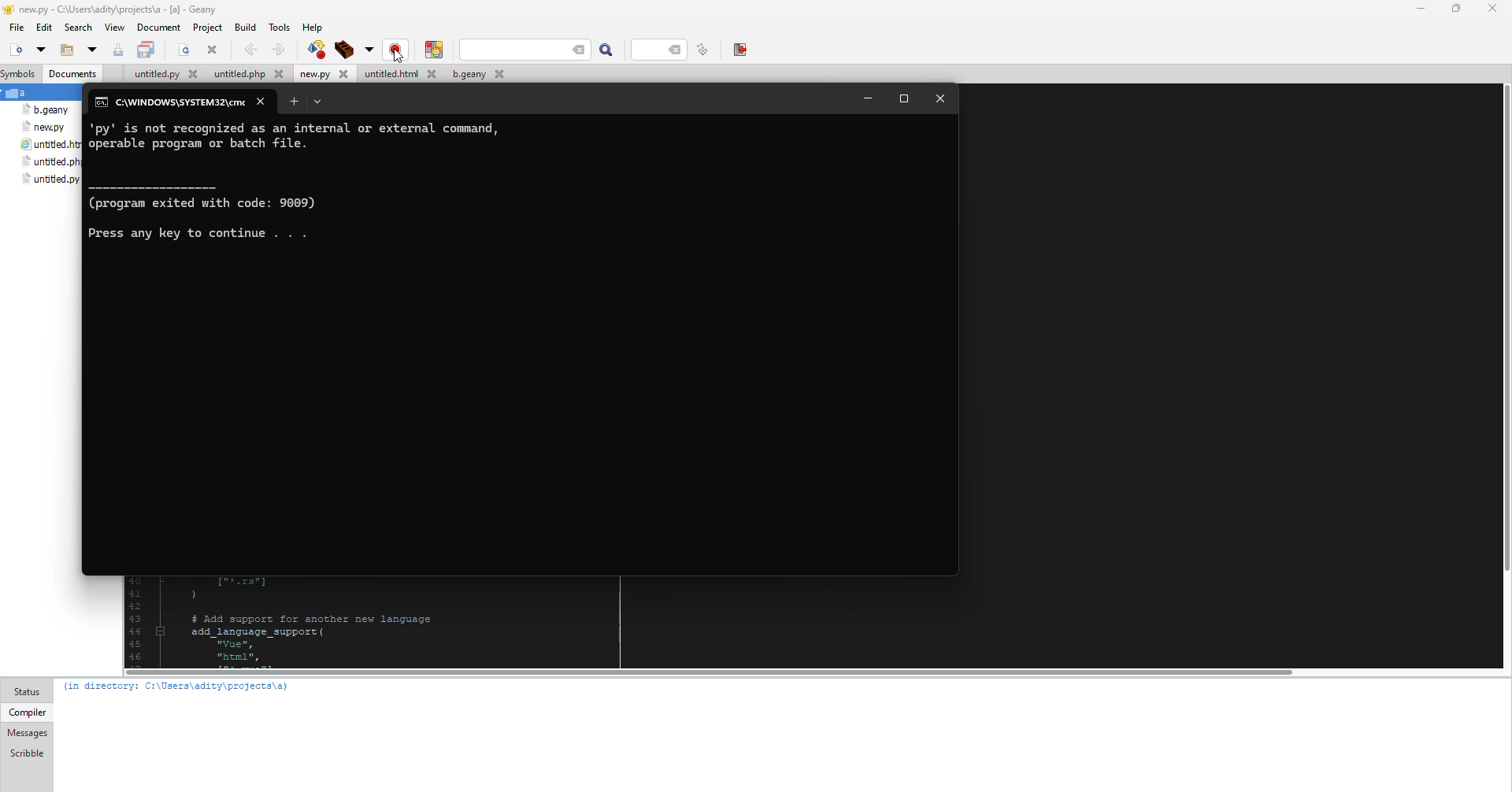  I want to click on file, so click(474, 75).